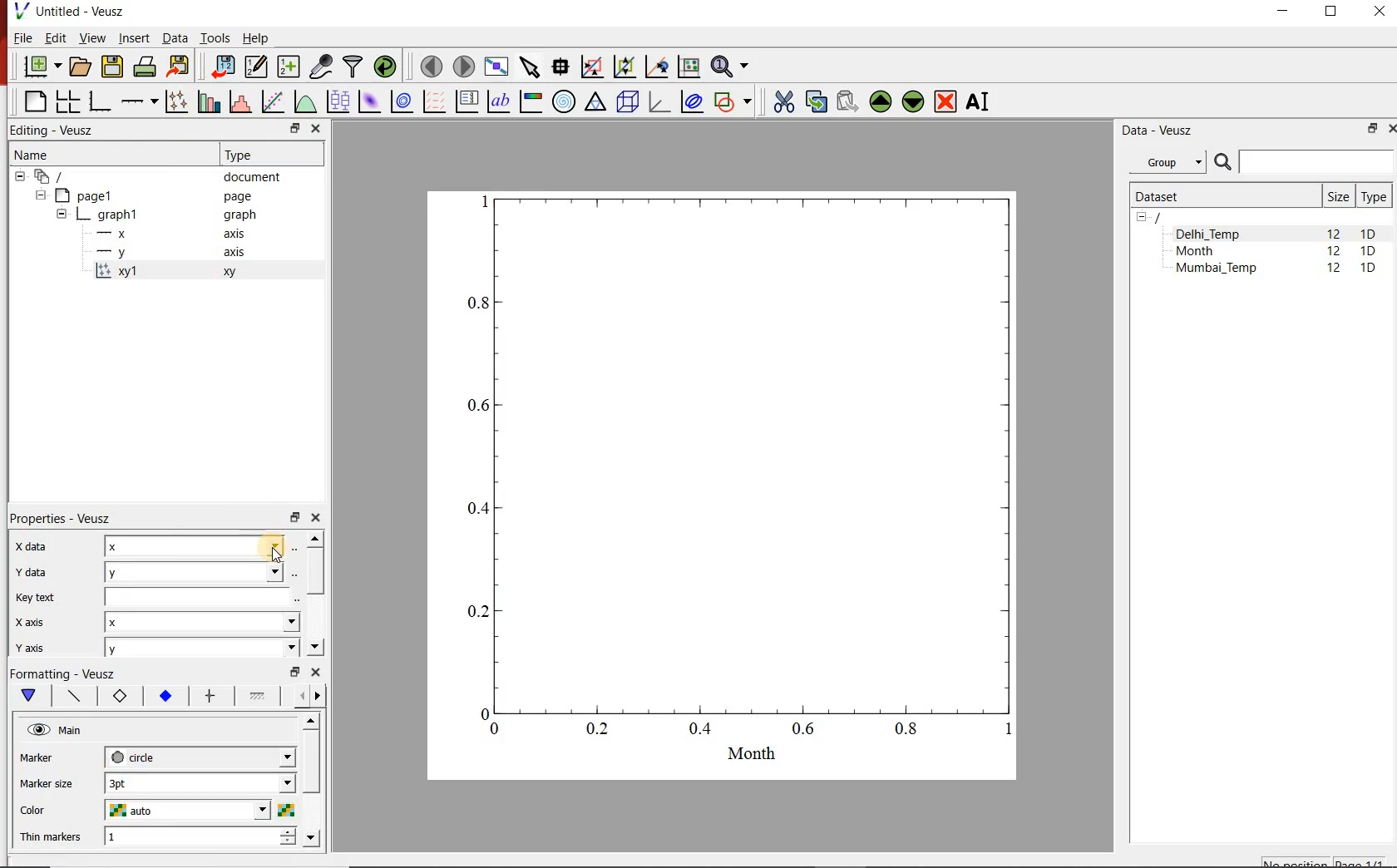  I want to click on Edit, so click(54, 37).